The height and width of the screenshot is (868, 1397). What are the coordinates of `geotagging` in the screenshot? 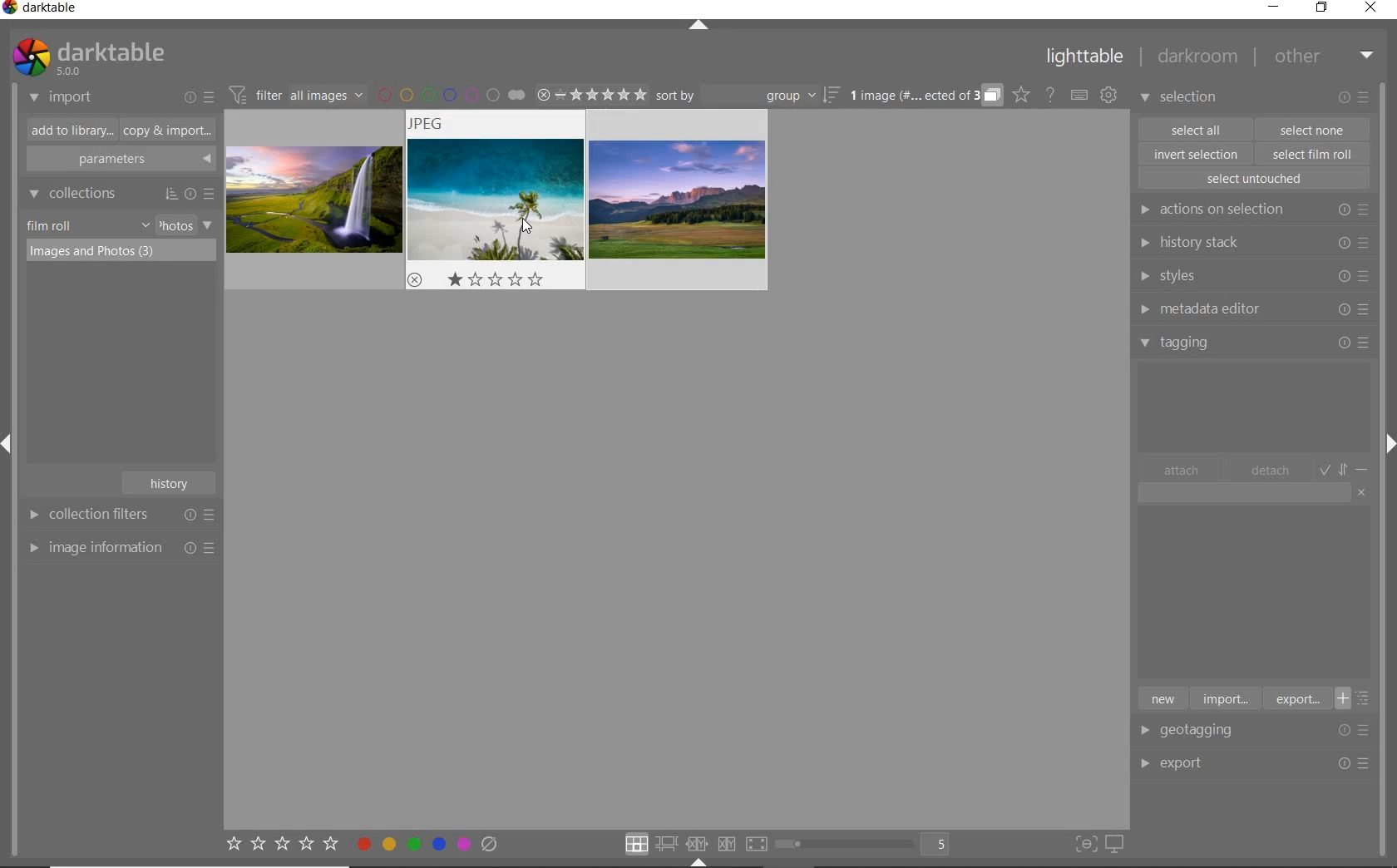 It's located at (1202, 732).